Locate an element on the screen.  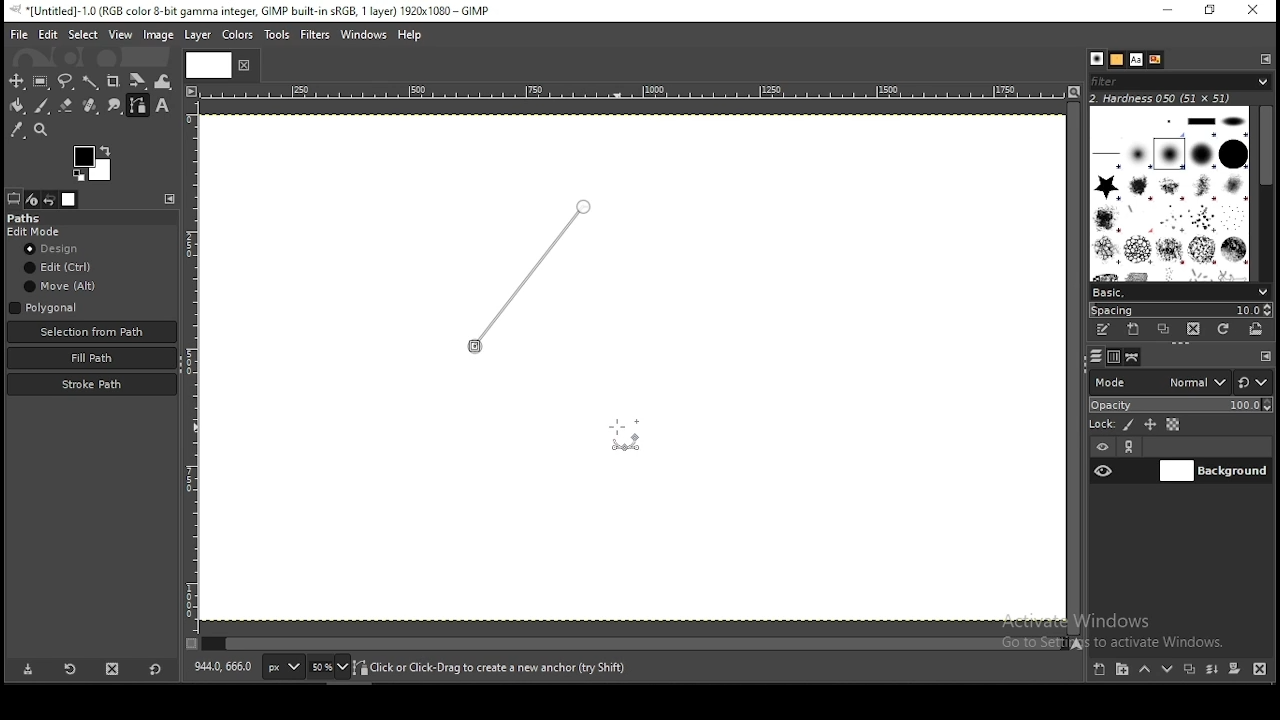
reset to default values is located at coordinates (156, 674).